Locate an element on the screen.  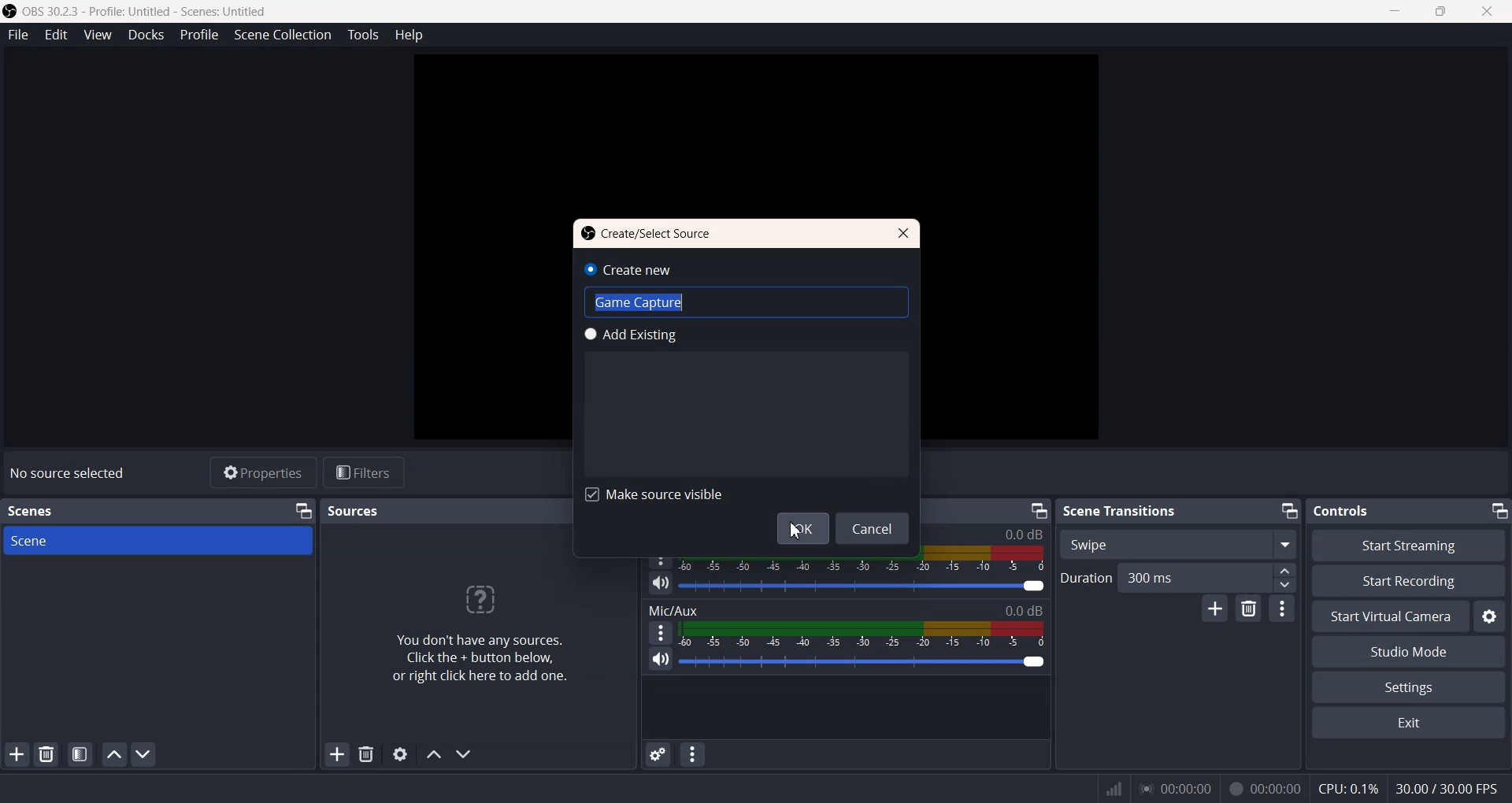
Move Scene Down is located at coordinates (145, 754).